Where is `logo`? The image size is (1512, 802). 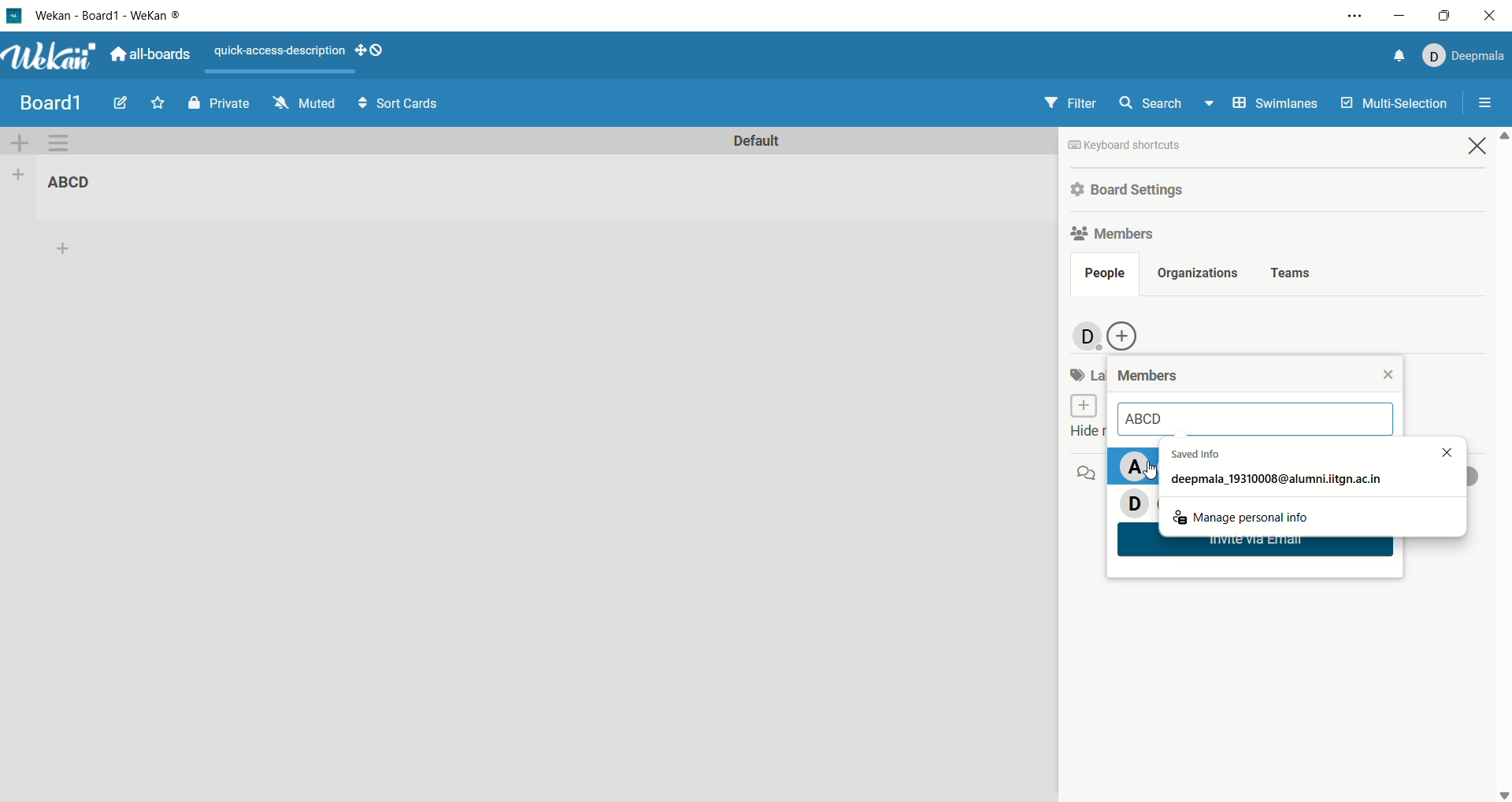 logo is located at coordinates (13, 15).